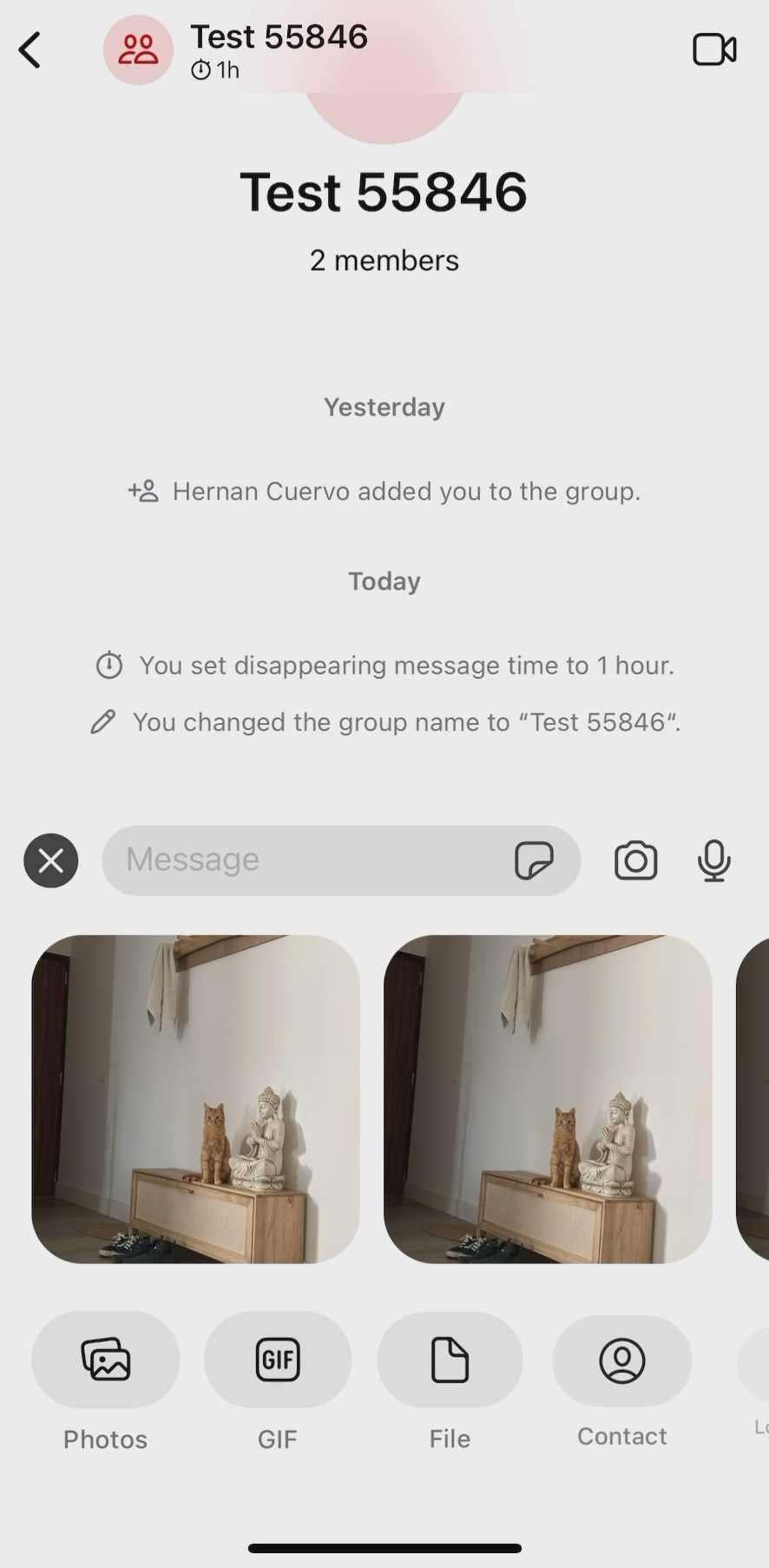  I want to click on / You changed the group name to “Test 55846"., so click(388, 733).